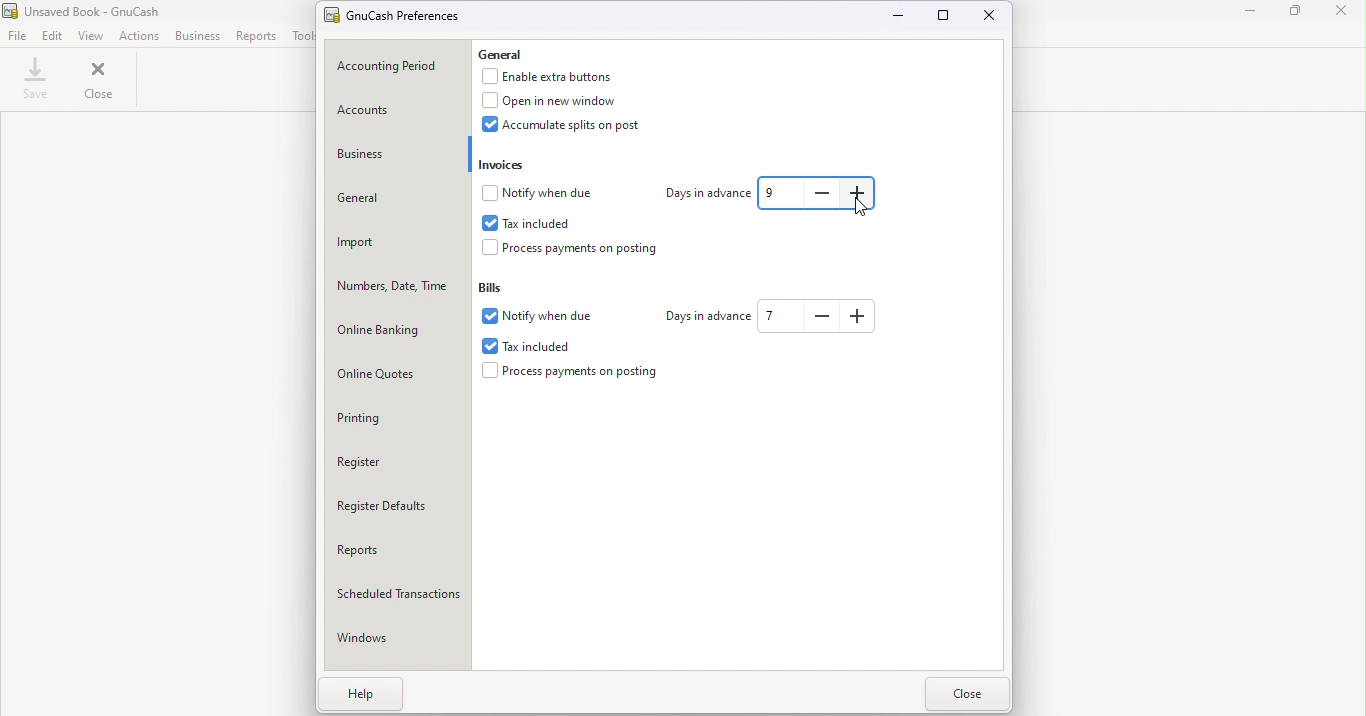  I want to click on Numbers, Date, Time, so click(398, 288).